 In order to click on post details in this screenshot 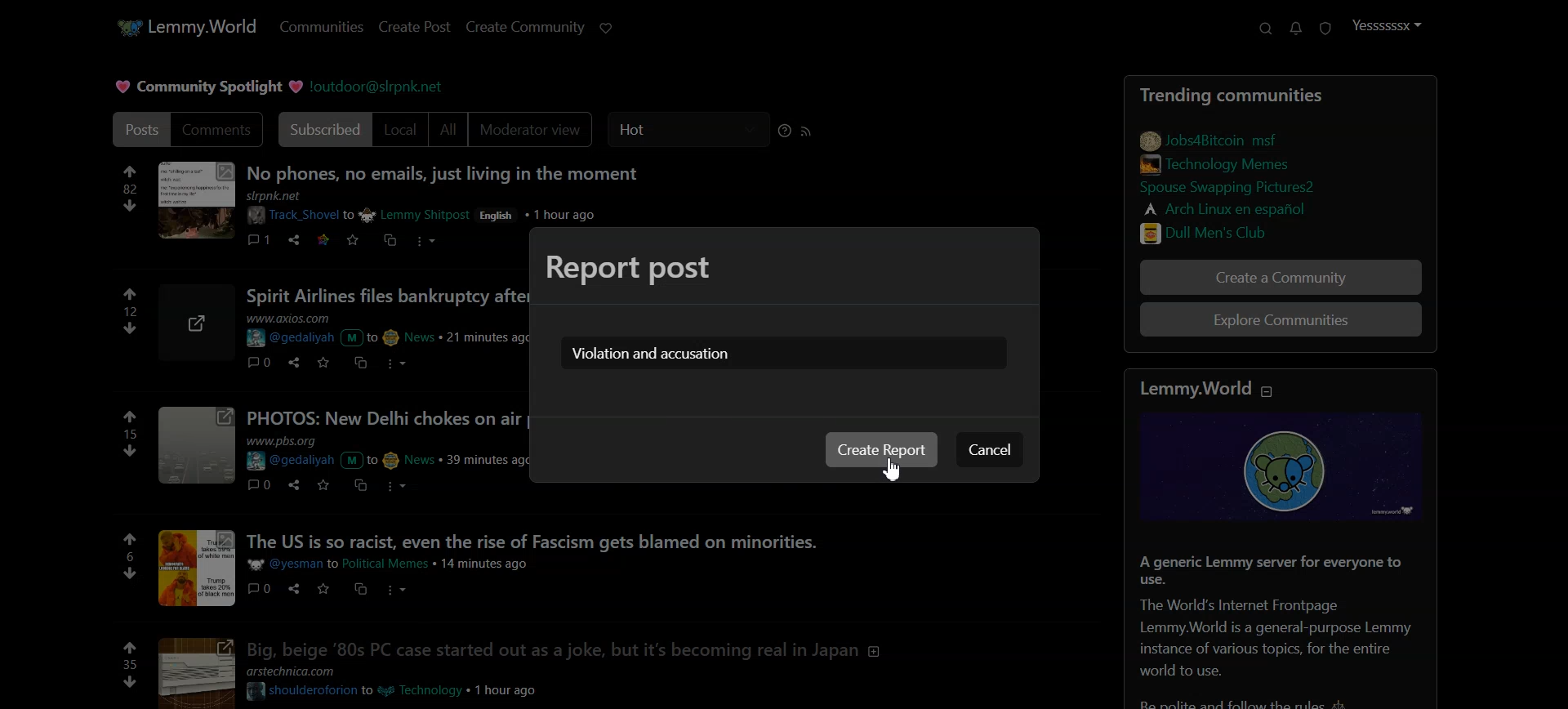, I will do `click(448, 208)`.